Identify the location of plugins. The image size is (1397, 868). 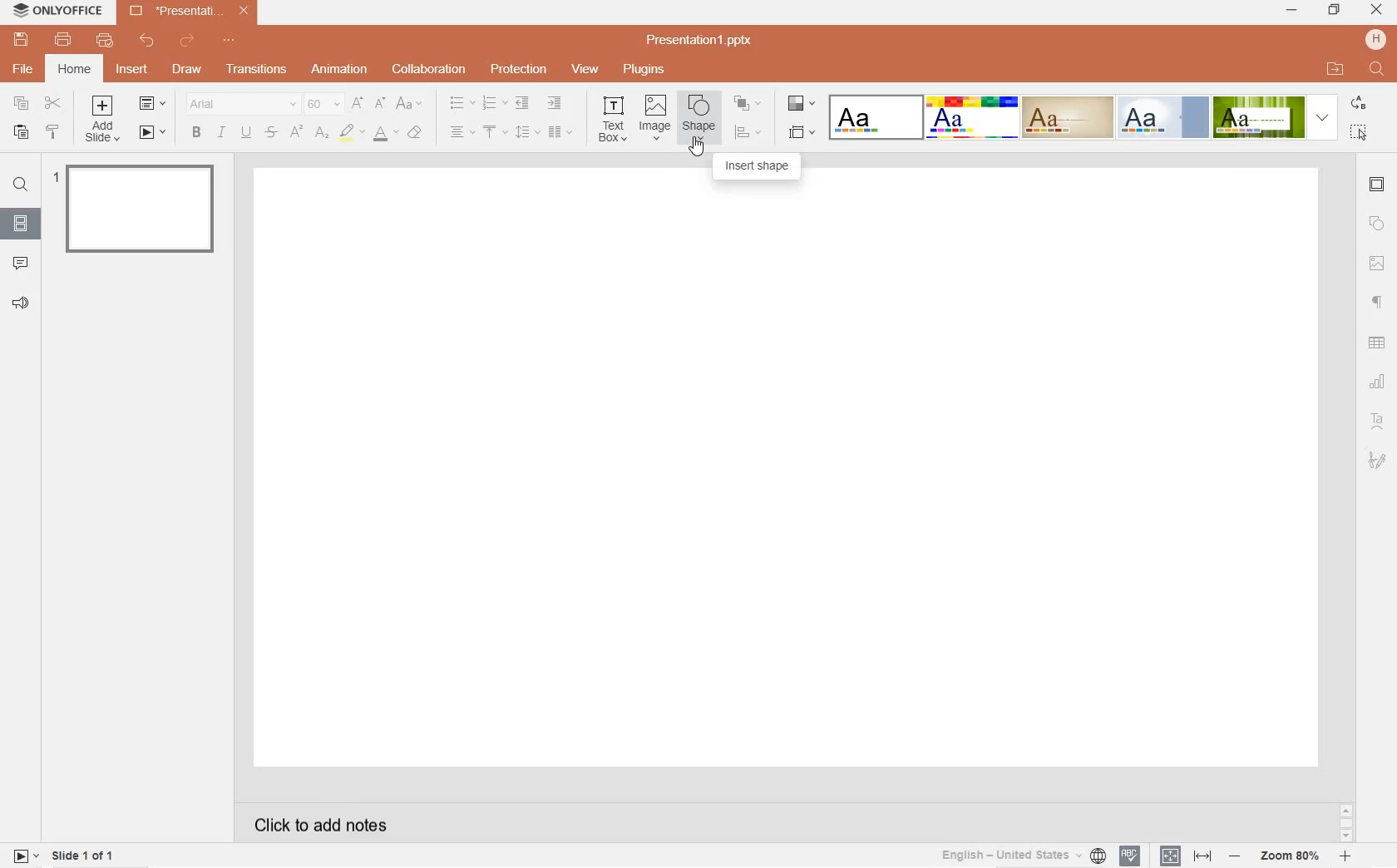
(643, 69).